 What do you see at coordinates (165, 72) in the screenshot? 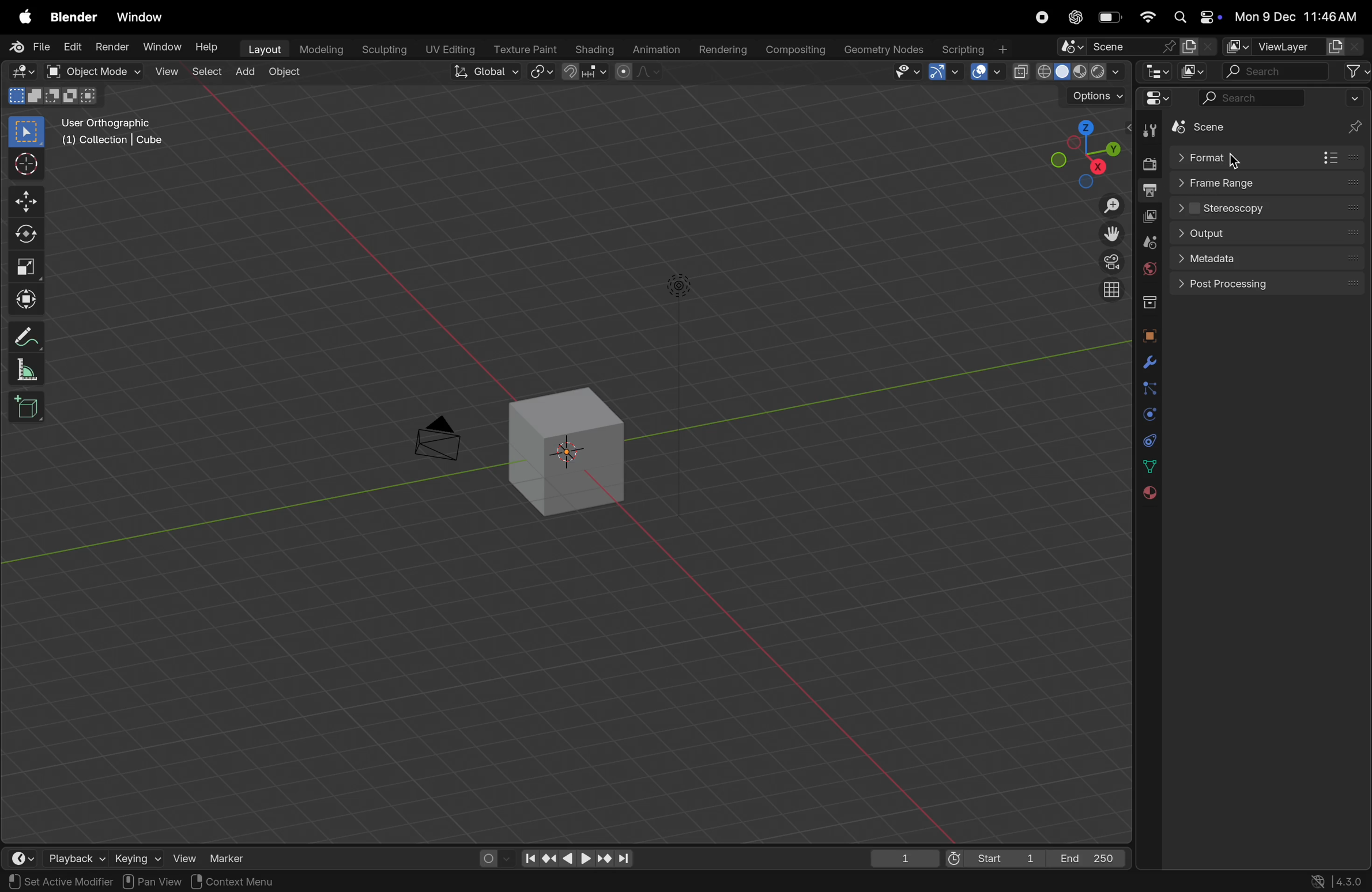
I see `view` at bounding box center [165, 72].